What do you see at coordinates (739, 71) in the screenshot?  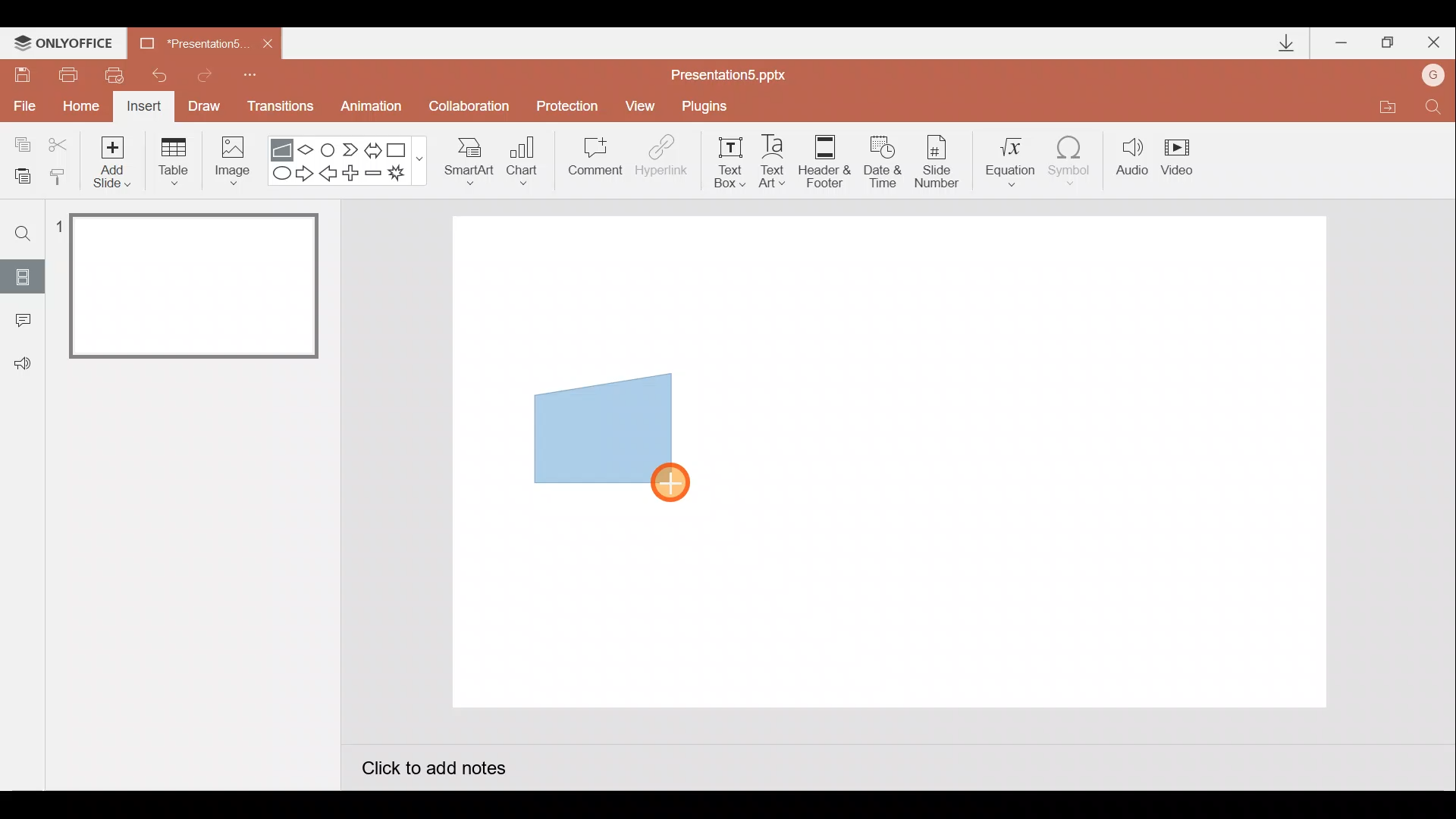 I see `Presentation5.pptx` at bounding box center [739, 71].